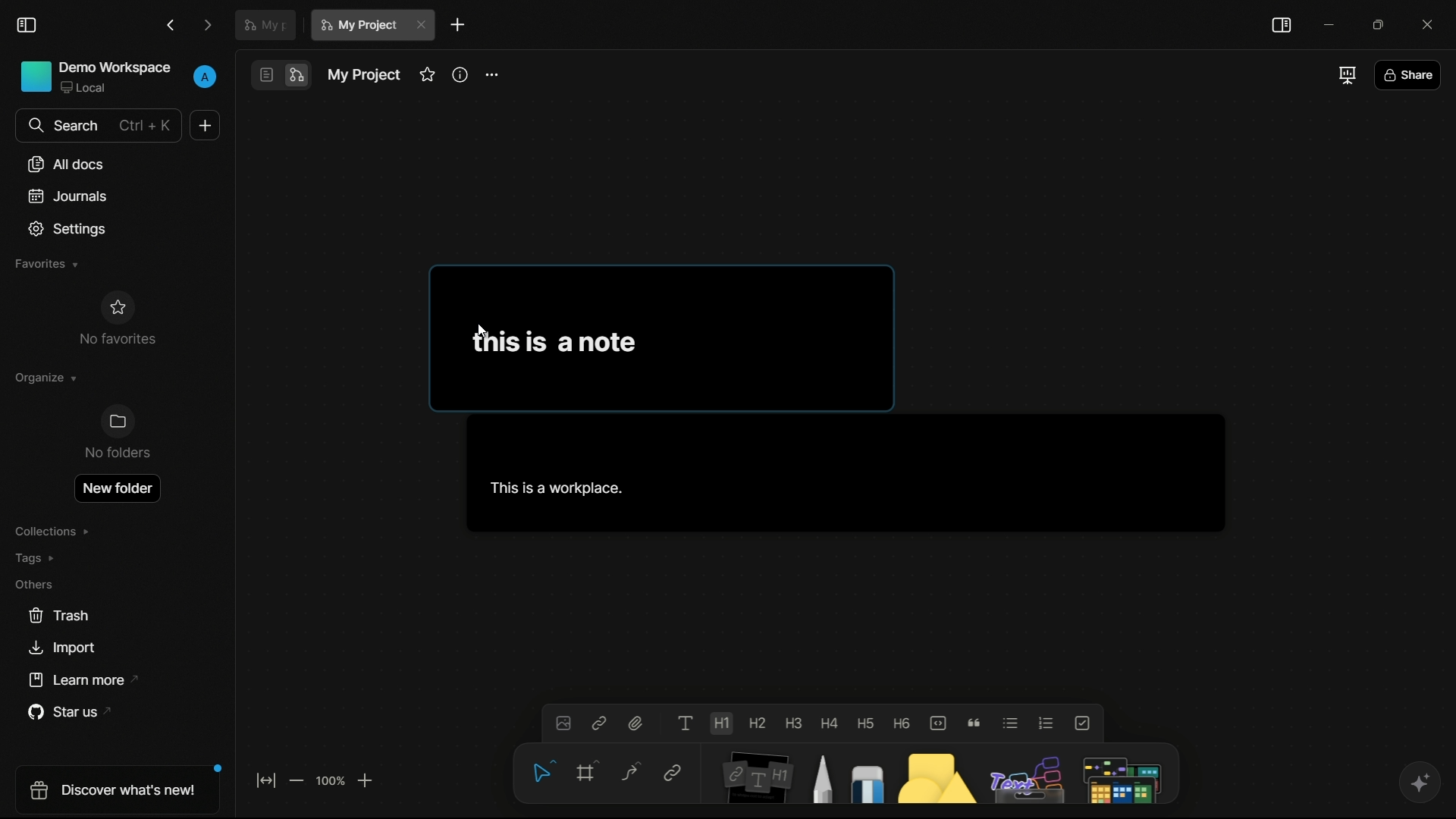 The width and height of the screenshot is (1456, 819). What do you see at coordinates (97, 126) in the screenshot?
I see `search bar` at bounding box center [97, 126].